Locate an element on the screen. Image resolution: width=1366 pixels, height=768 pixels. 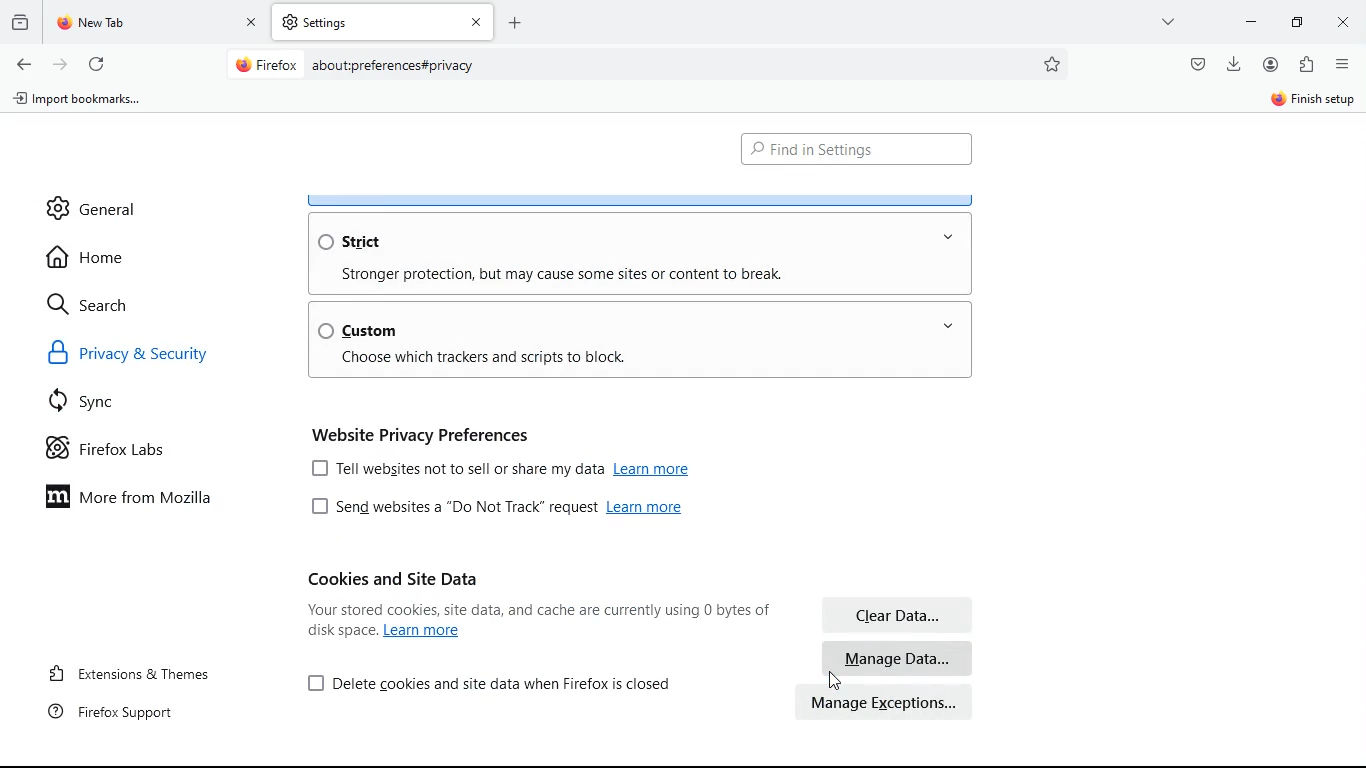
Search bar is located at coordinates (644, 66).